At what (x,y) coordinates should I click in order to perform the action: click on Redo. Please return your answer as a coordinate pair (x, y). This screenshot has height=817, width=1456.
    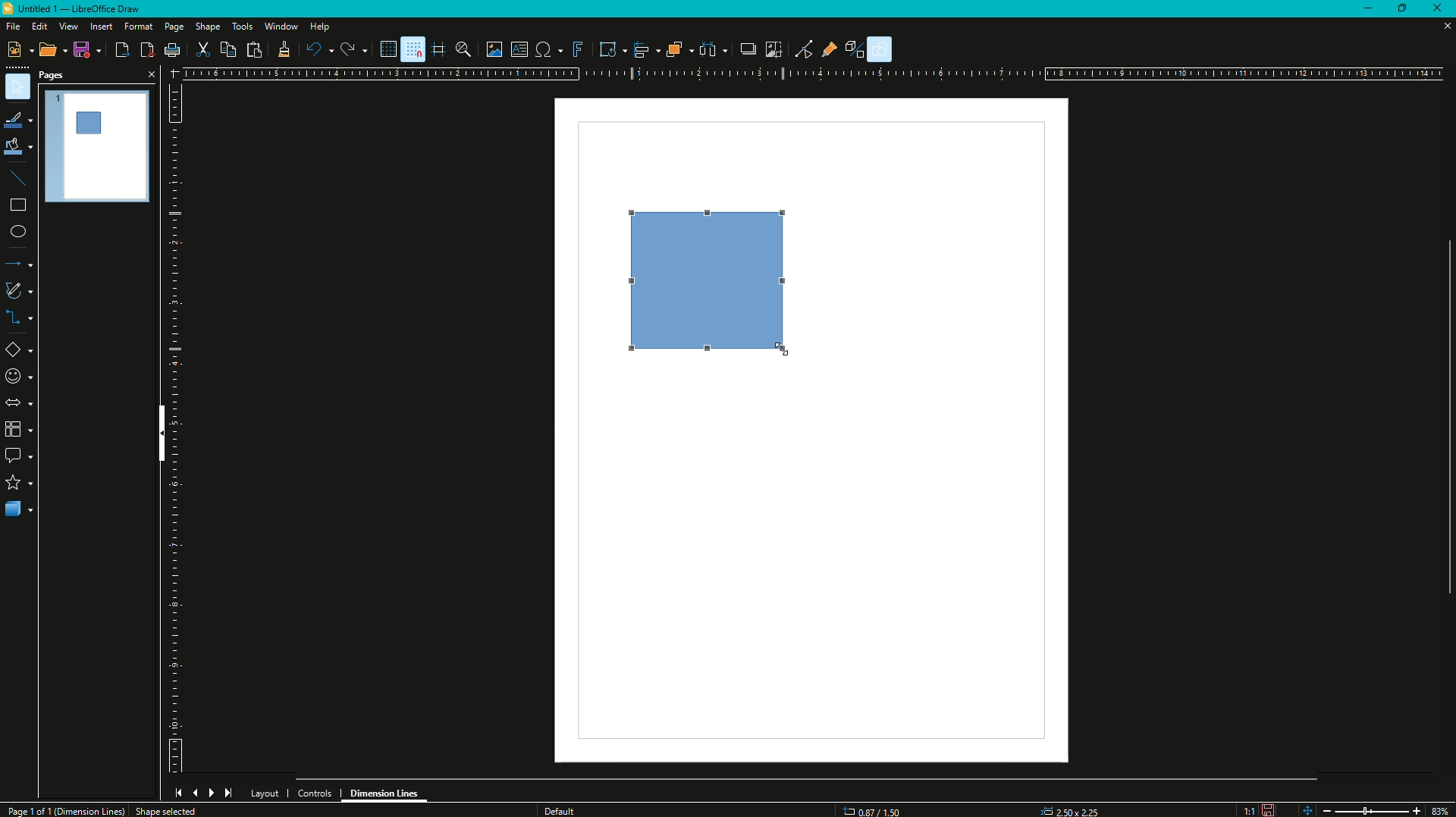
    Looking at the image, I should click on (353, 50).